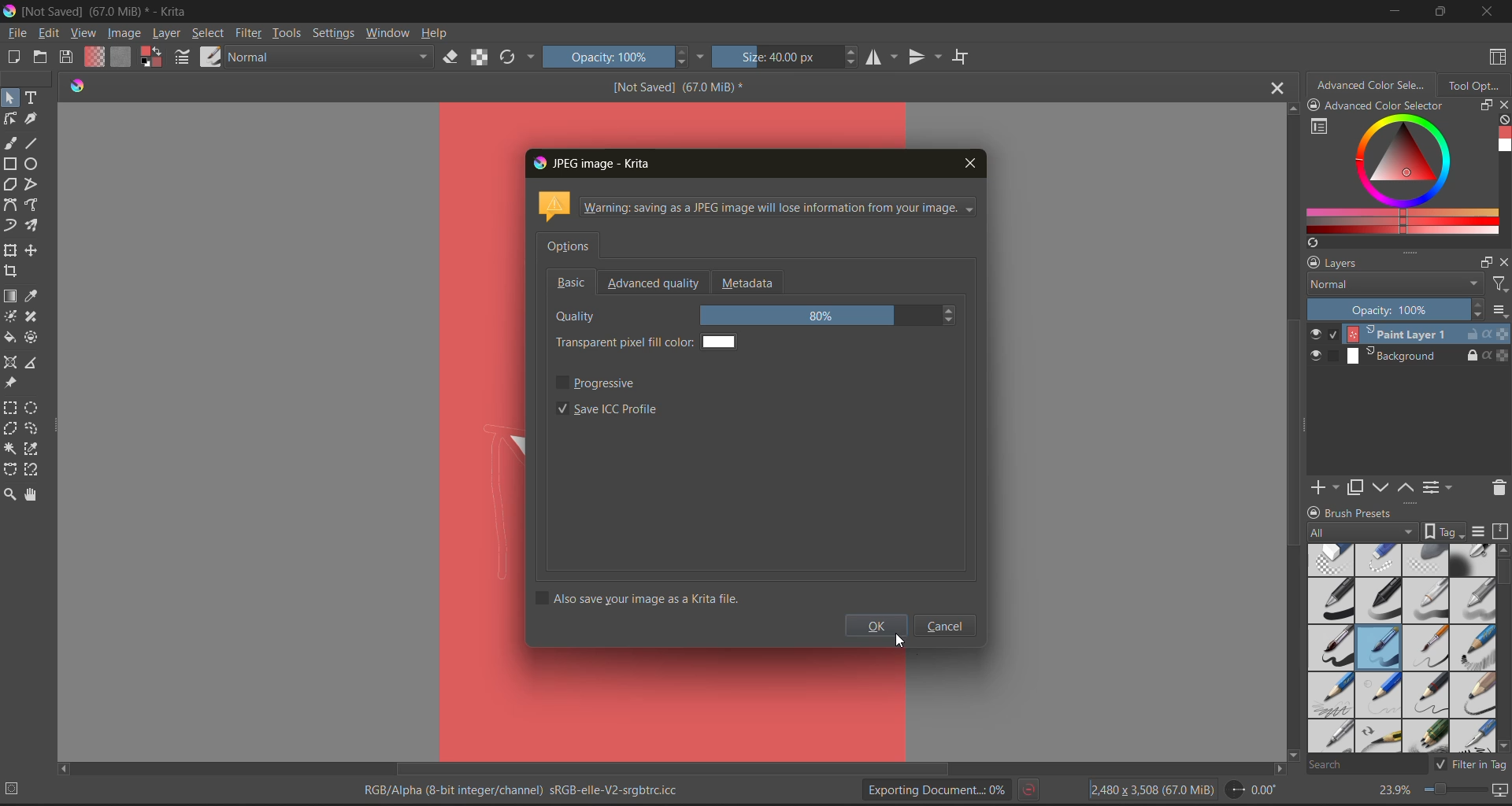  I want to click on select, so click(210, 35).